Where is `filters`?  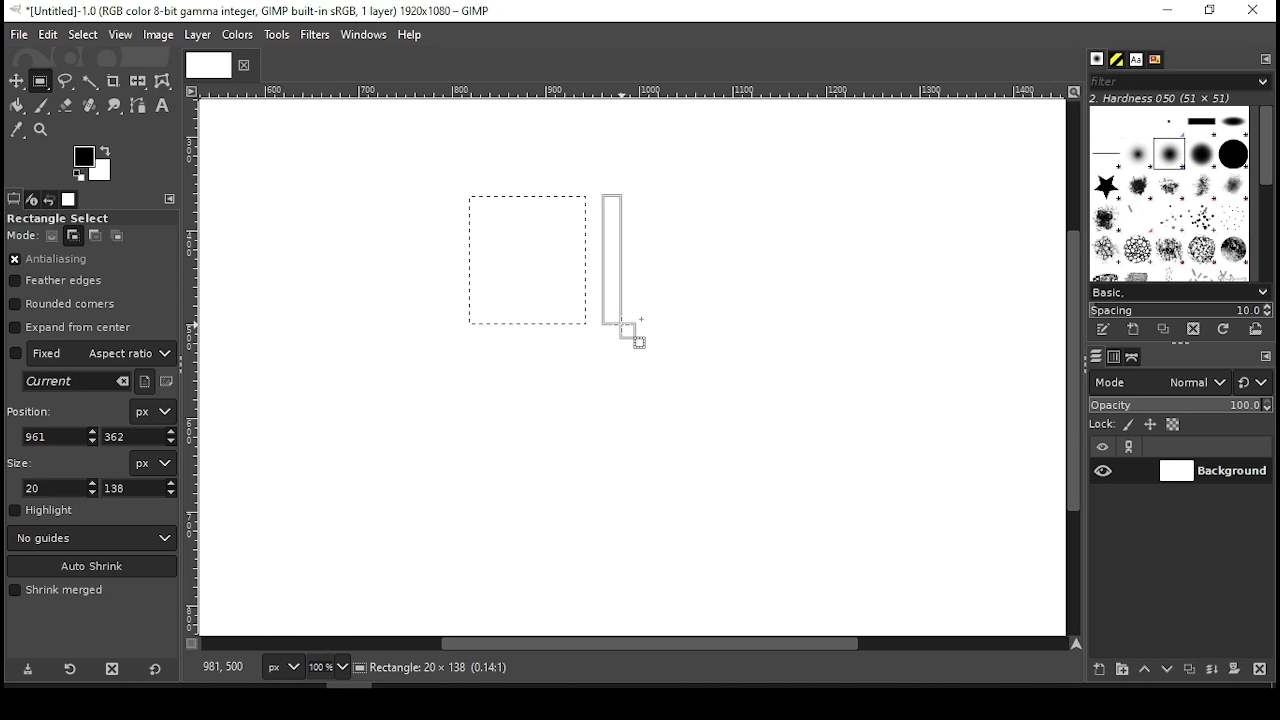 filters is located at coordinates (1177, 82).